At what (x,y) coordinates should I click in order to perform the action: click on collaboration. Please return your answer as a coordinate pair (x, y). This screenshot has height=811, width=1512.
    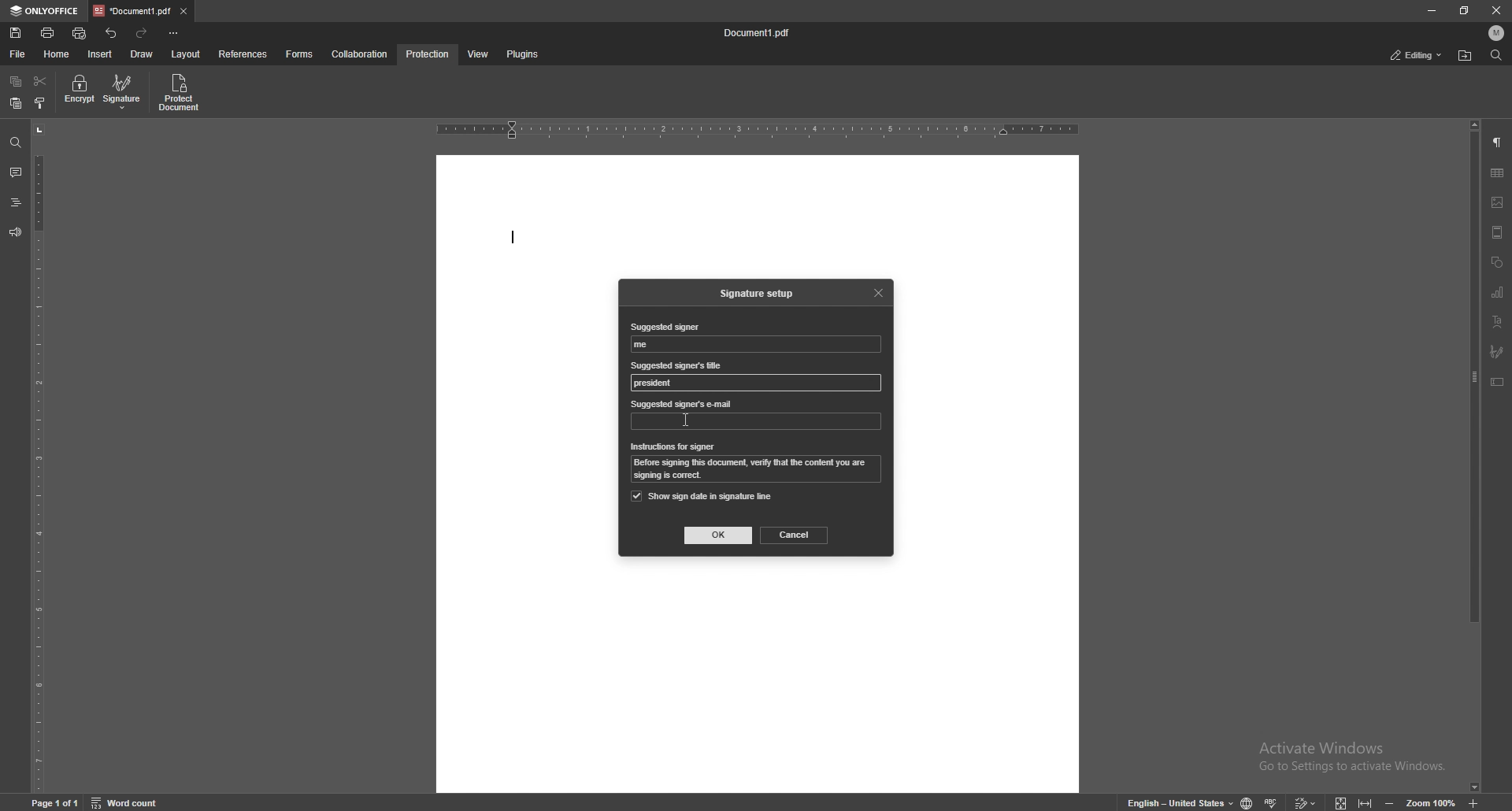
    Looking at the image, I should click on (361, 54).